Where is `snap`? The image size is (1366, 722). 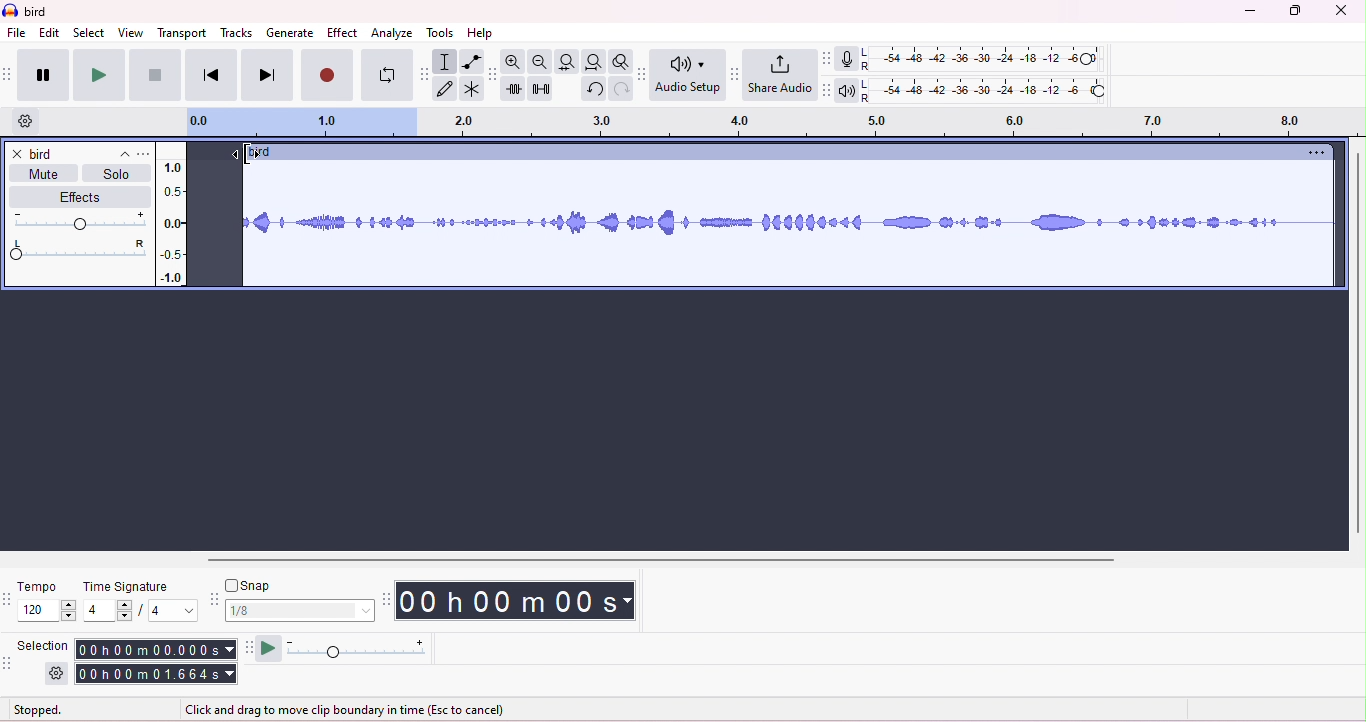
snap is located at coordinates (254, 585).